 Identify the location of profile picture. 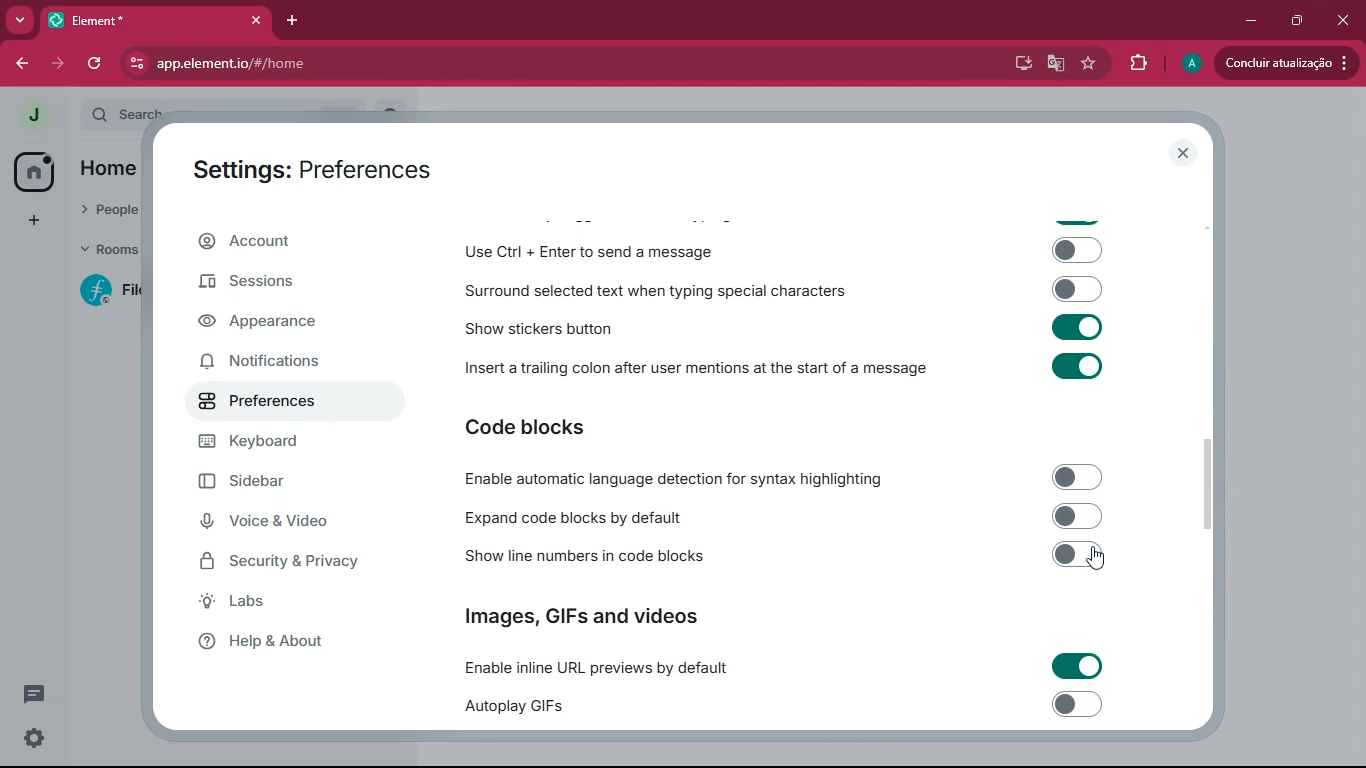
(27, 116).